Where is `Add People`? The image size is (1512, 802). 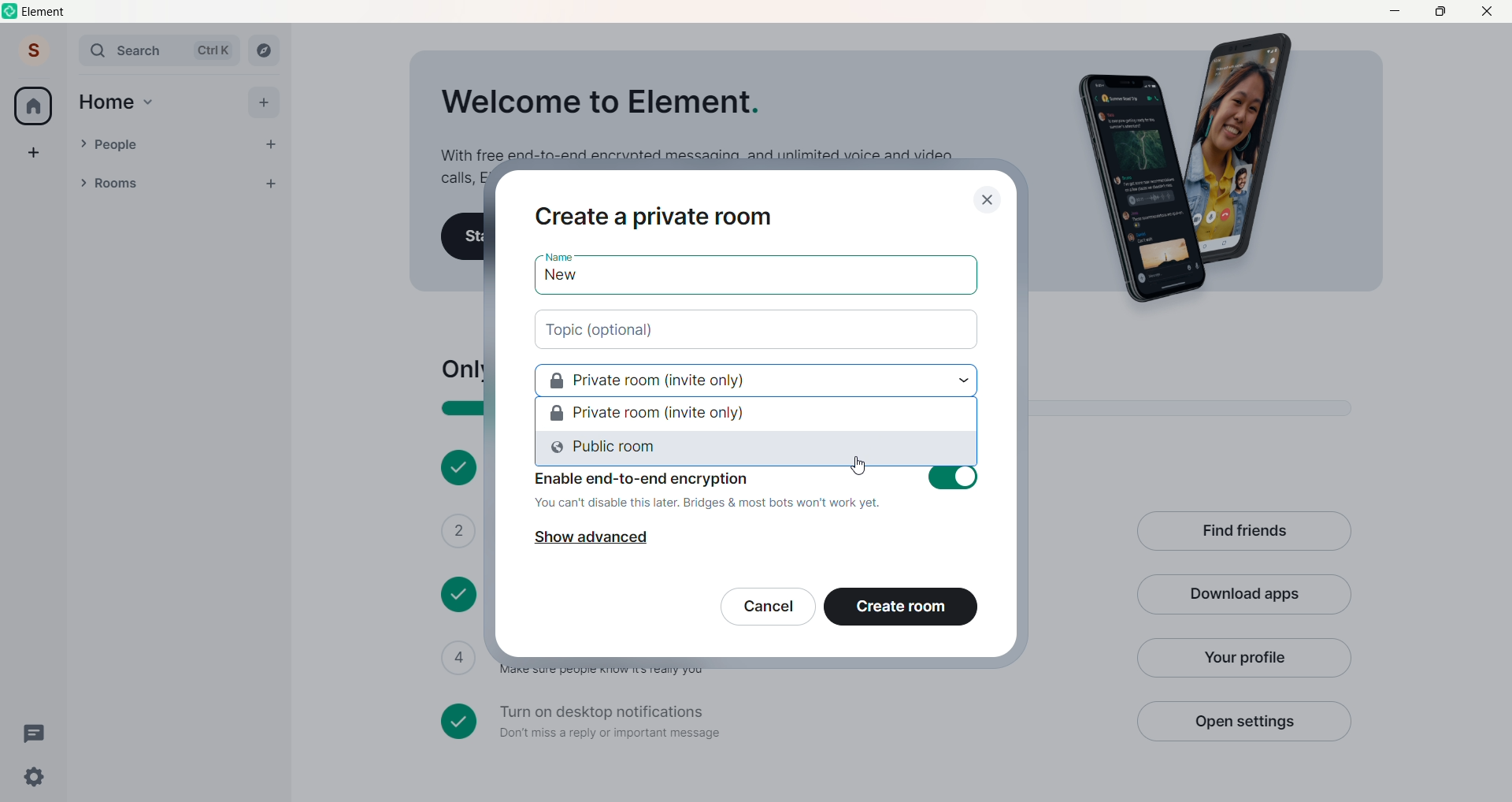
Add People is located at coordinates (271, 145).